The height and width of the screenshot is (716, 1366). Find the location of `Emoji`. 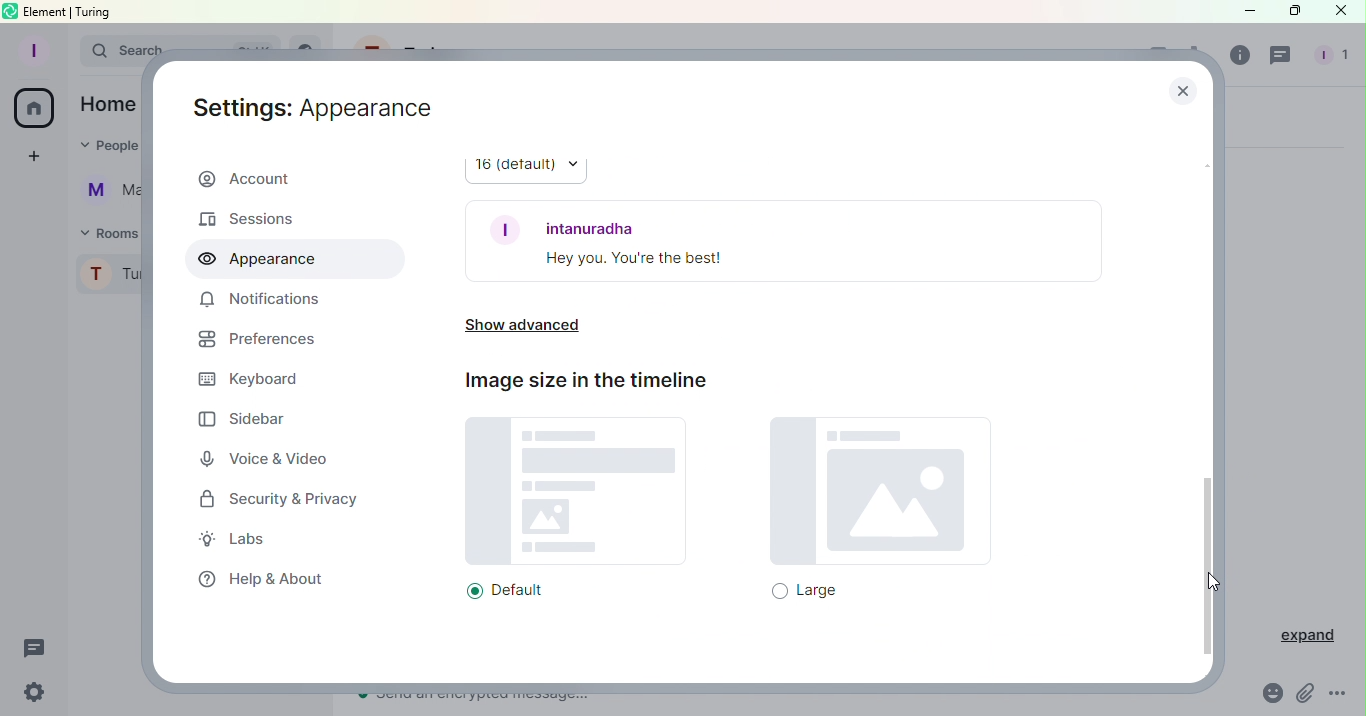

Emoji is located at coordinates (1269, 695).